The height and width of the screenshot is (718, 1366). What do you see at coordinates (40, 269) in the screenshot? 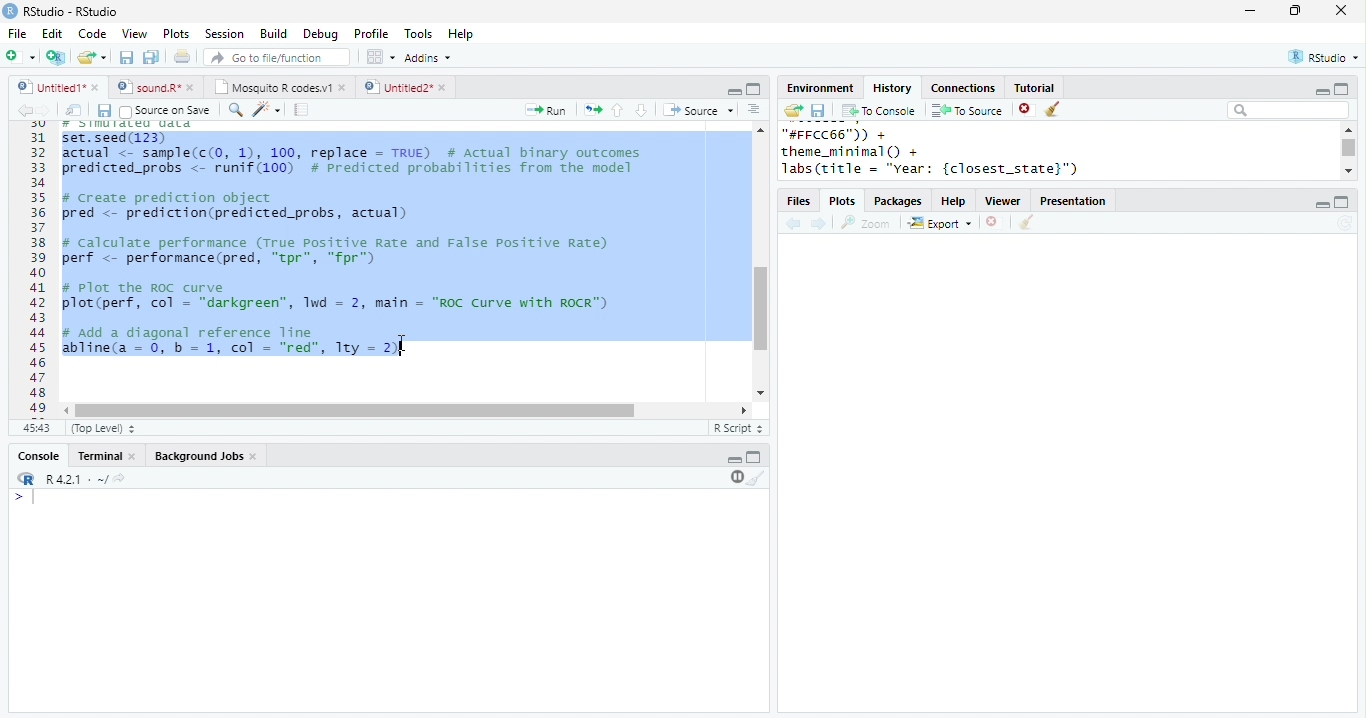
I see `line numbering` at bounding box center [40, 269].